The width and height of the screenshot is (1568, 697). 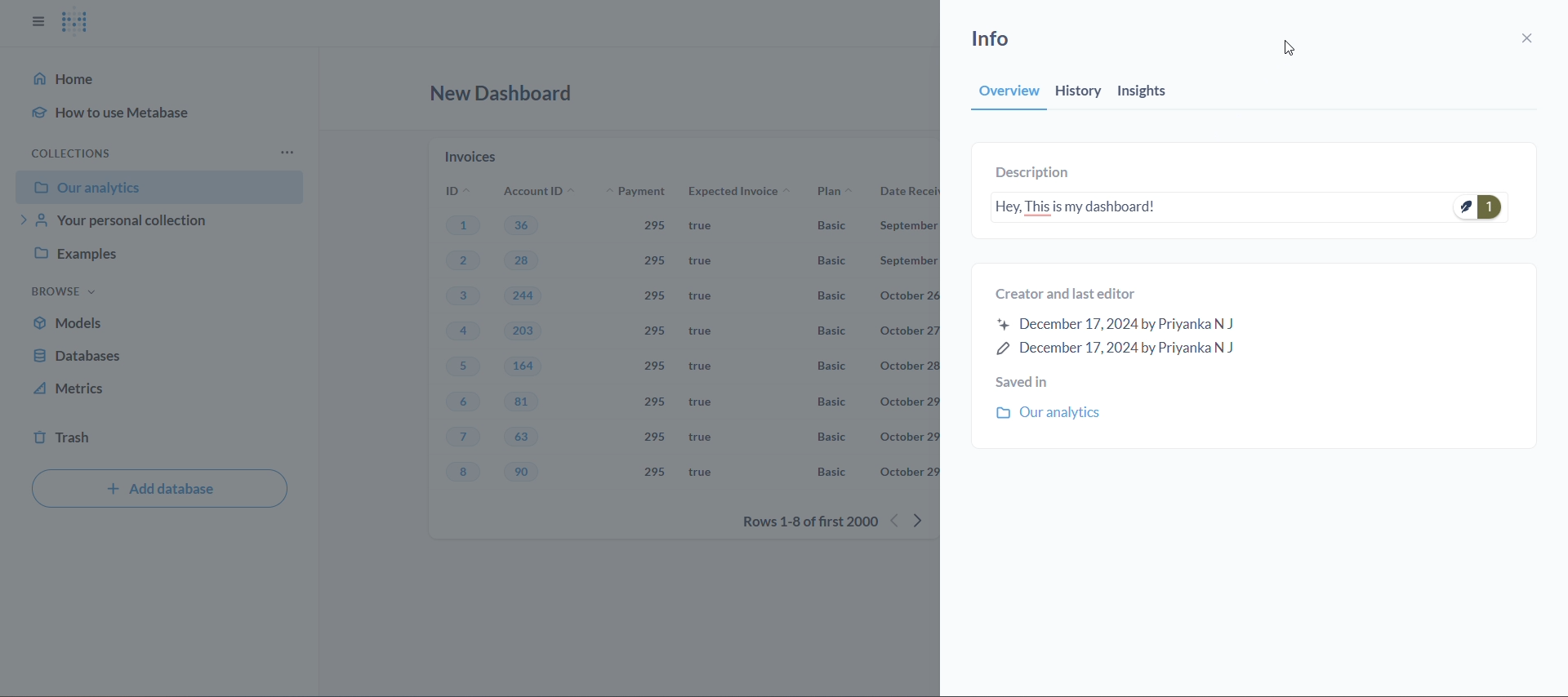 I want to click on created and last editor information, so click(x=1134, y=322).